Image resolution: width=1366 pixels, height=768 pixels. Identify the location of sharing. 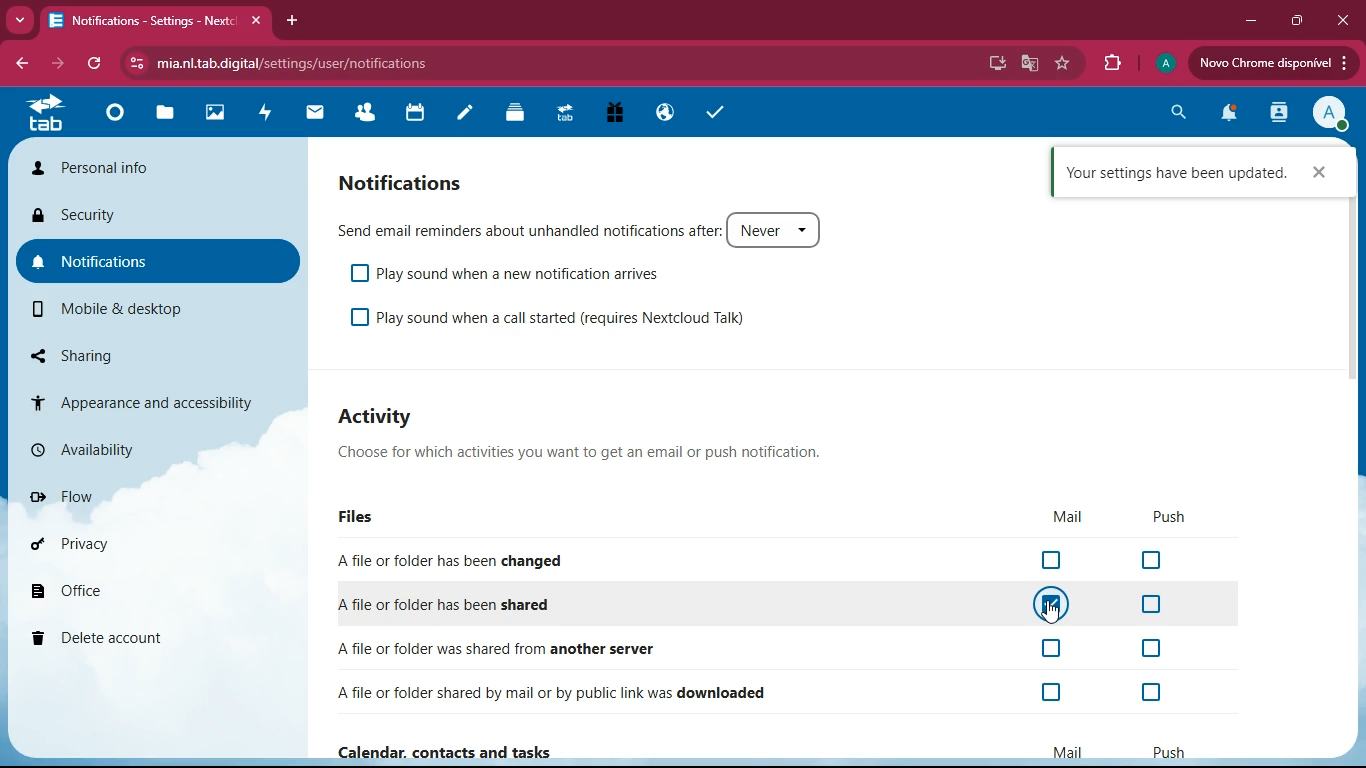
(89, 351).